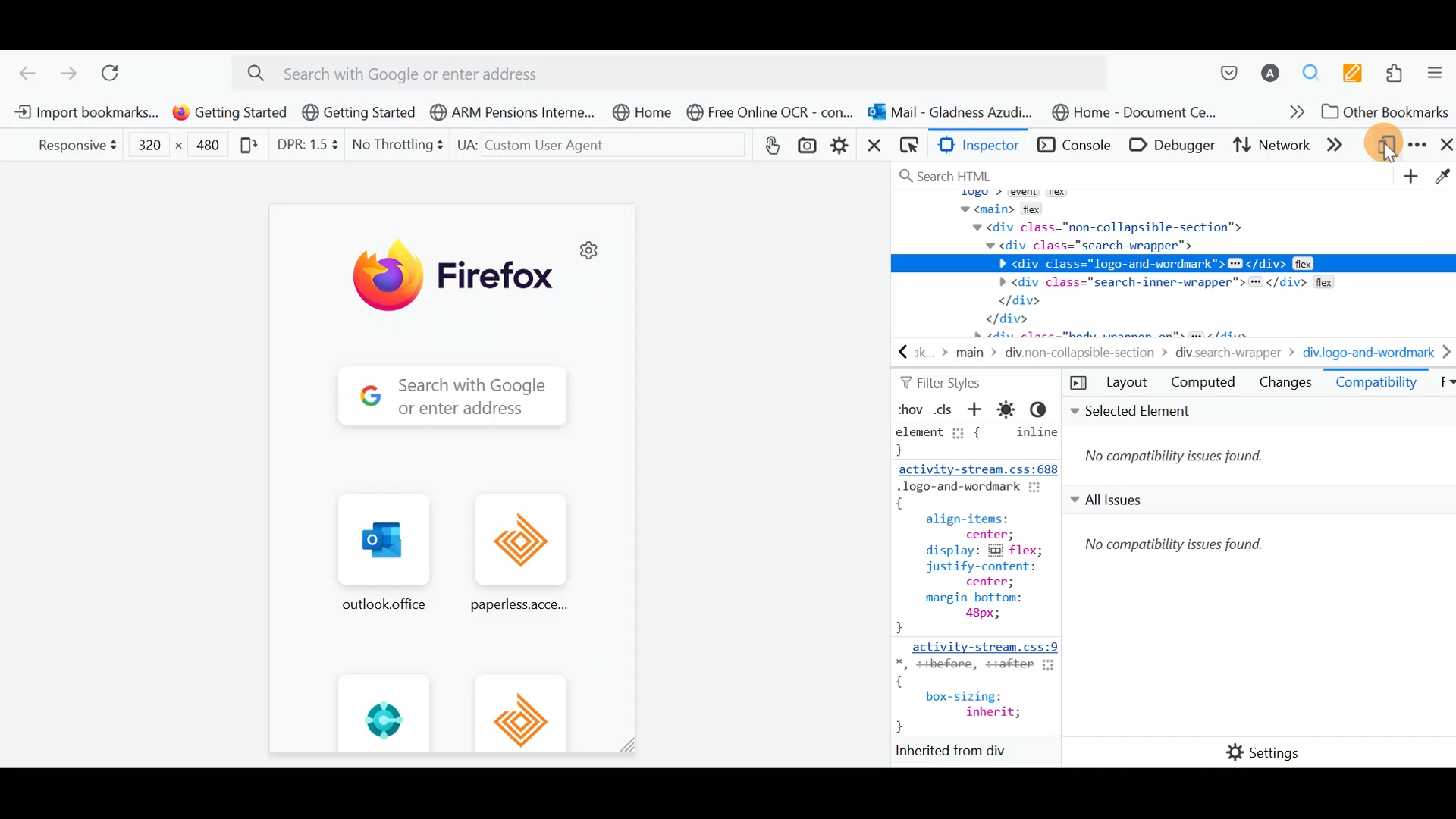 The height and width of the screenshot is (819, 1456). I want to click on Toggle pseudo classes, so click(908, 409).